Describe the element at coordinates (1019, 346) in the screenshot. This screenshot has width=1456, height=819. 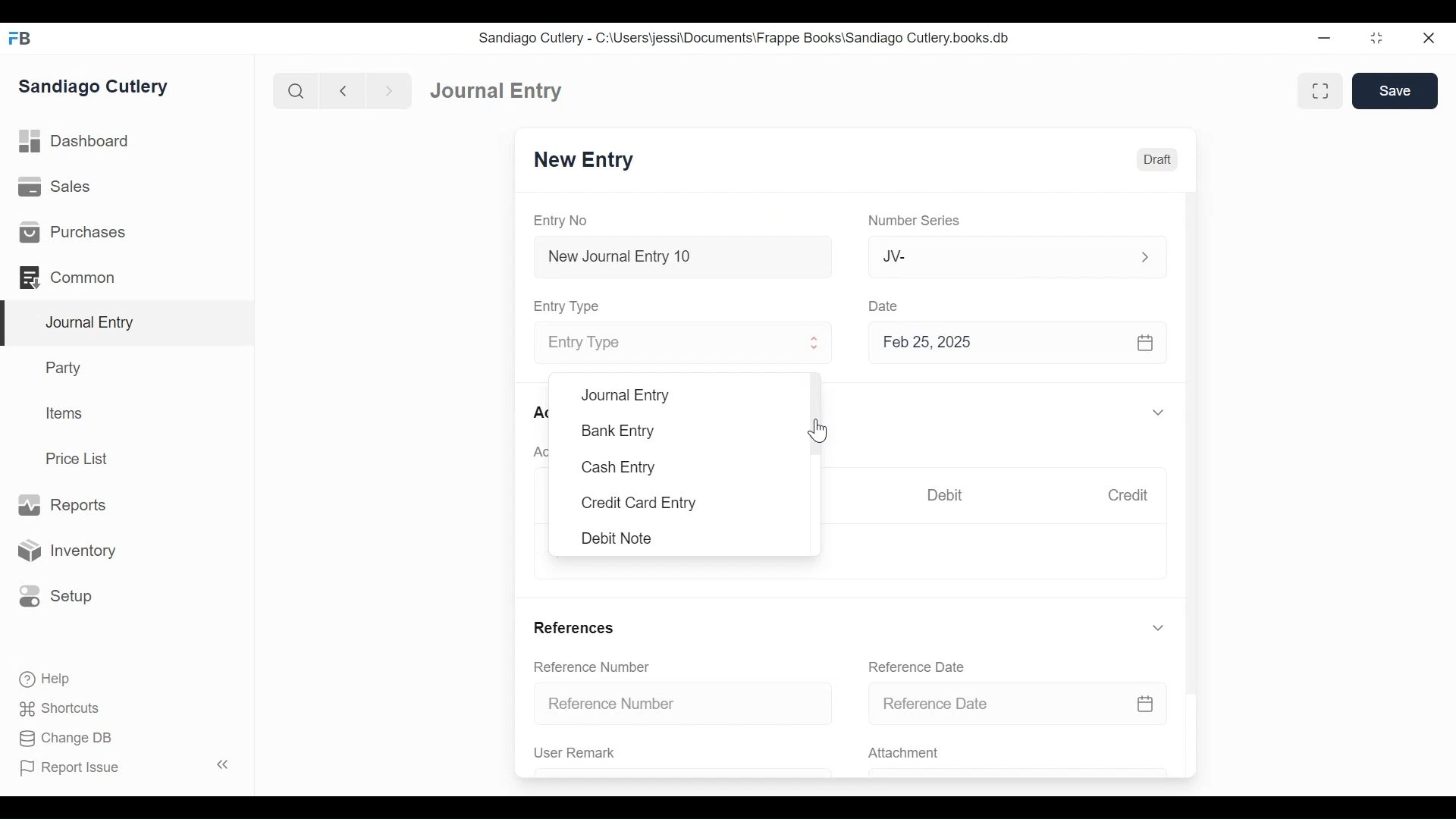
I see `Feb 25, 2025` at that location.